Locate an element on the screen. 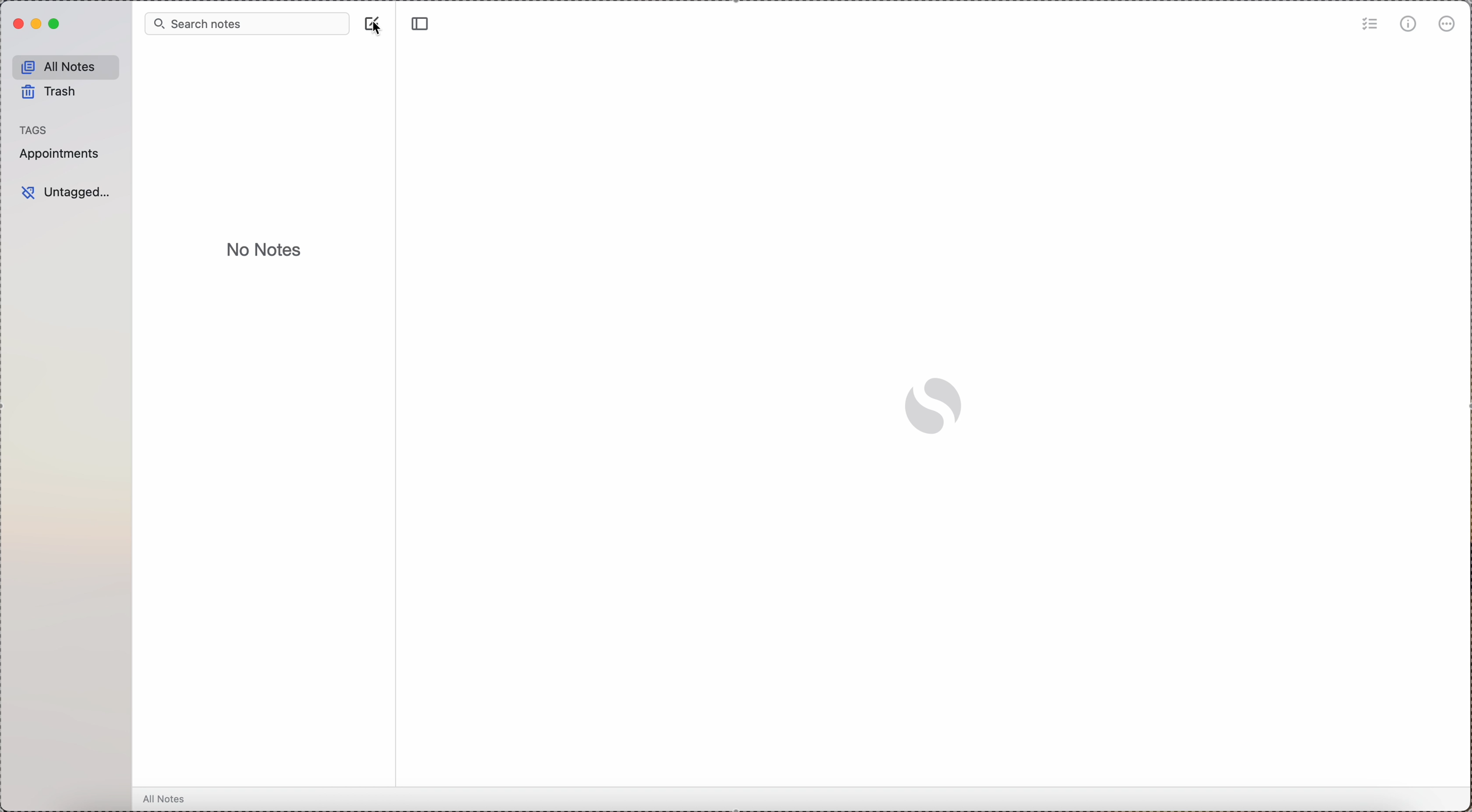  untagged is located at coordinates (67, 193).